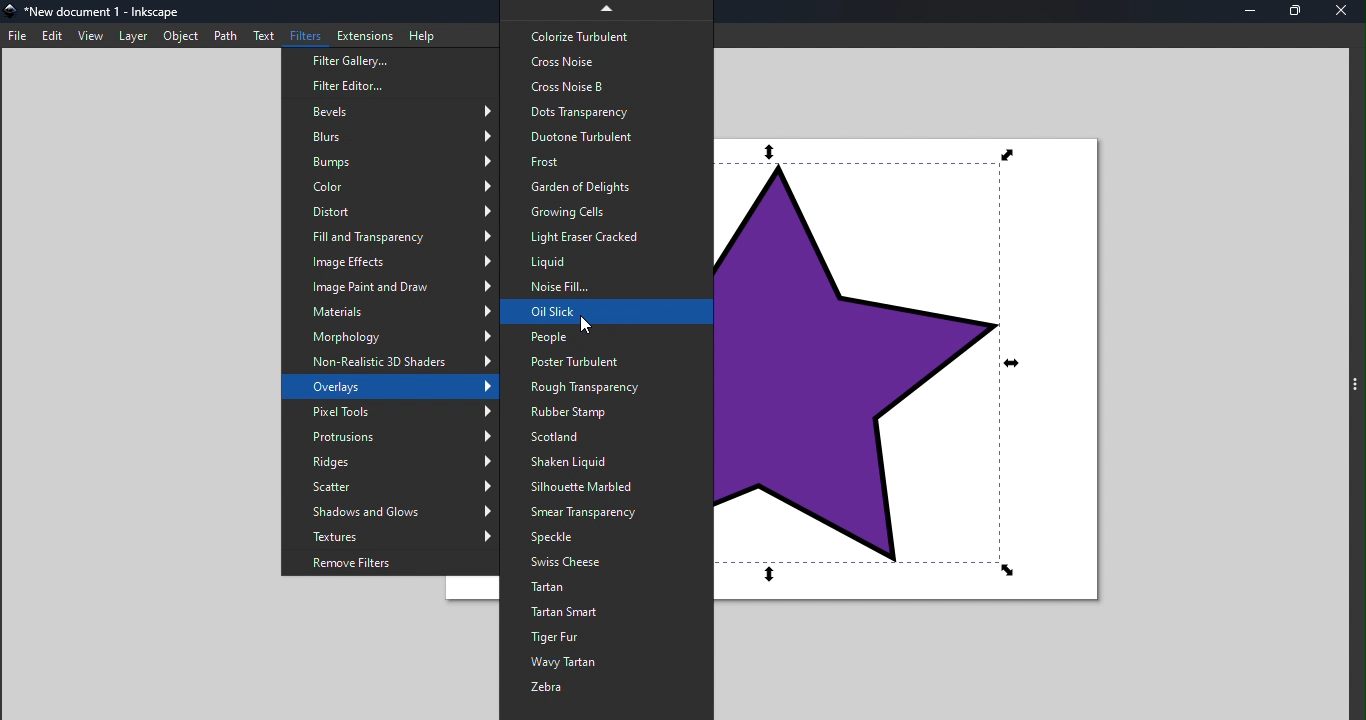 This screenshot has width=1366, height=720. Describe the element at coordinates (362, 35) in the screenshot. I see `Extensions` at that location.